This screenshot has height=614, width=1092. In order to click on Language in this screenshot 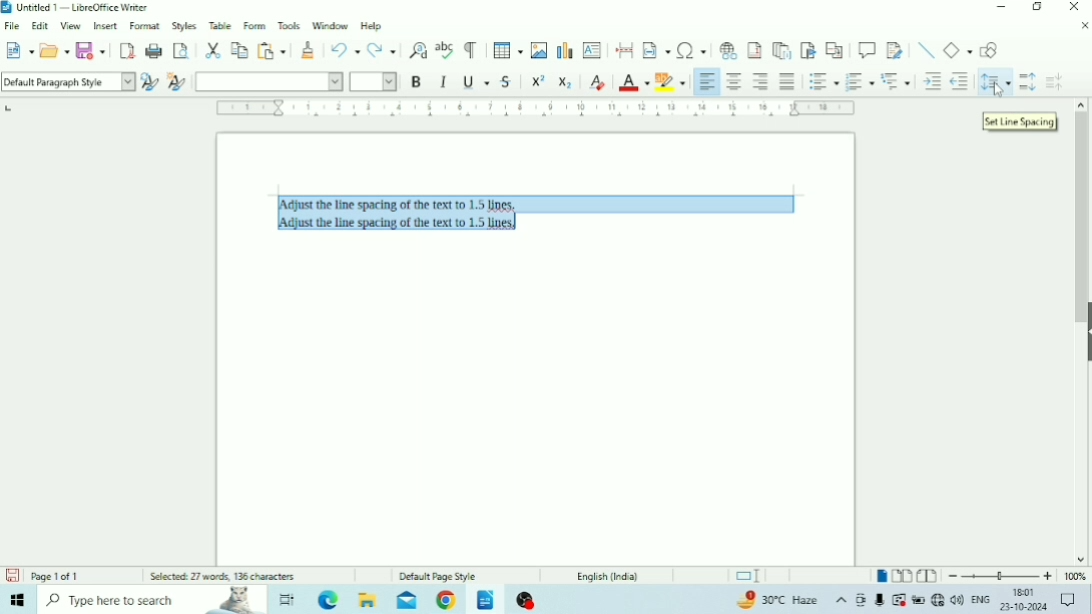, I will do `click(608, 576)`.